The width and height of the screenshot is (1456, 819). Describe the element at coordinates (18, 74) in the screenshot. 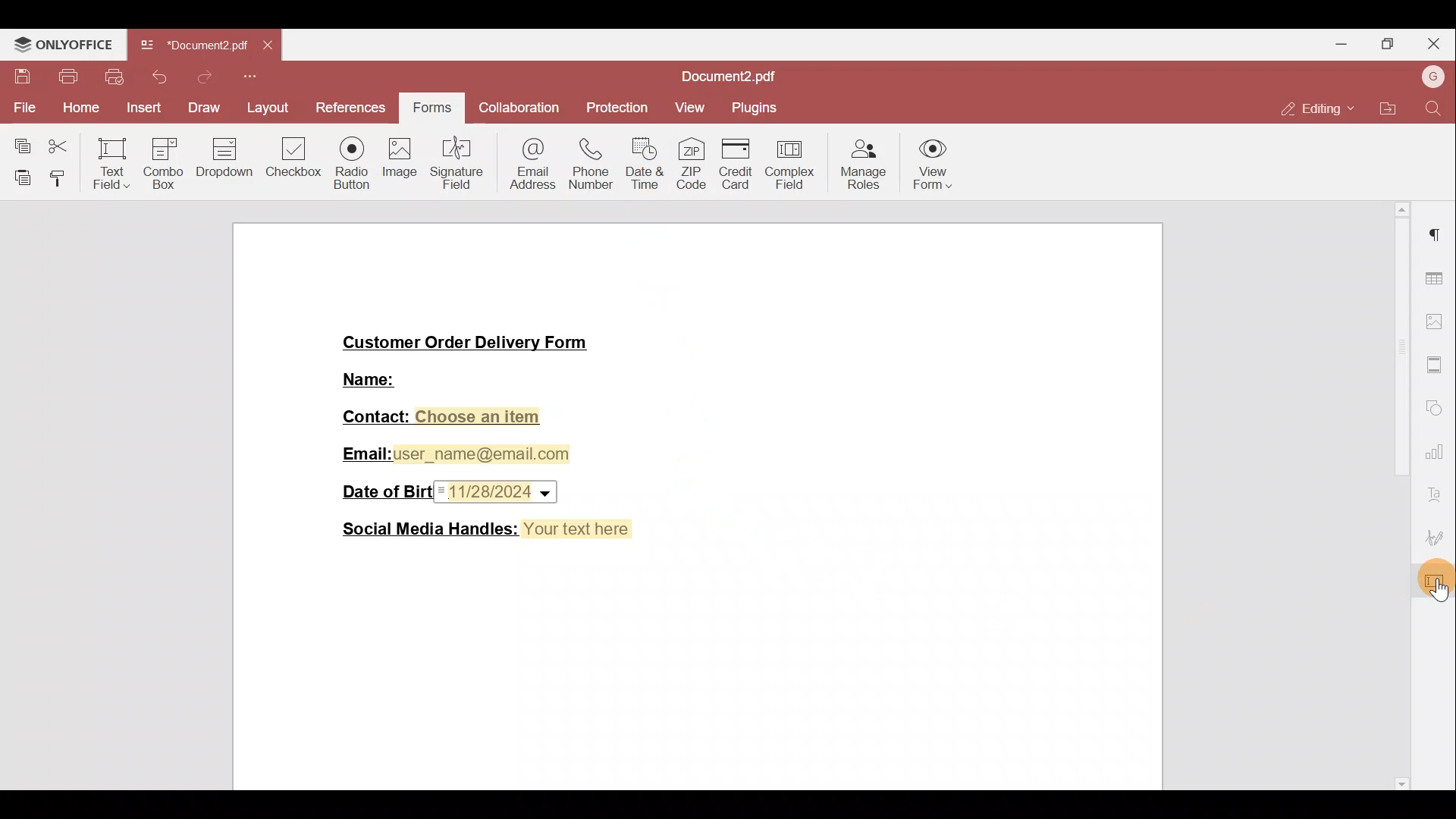

I see `Save` at that location.